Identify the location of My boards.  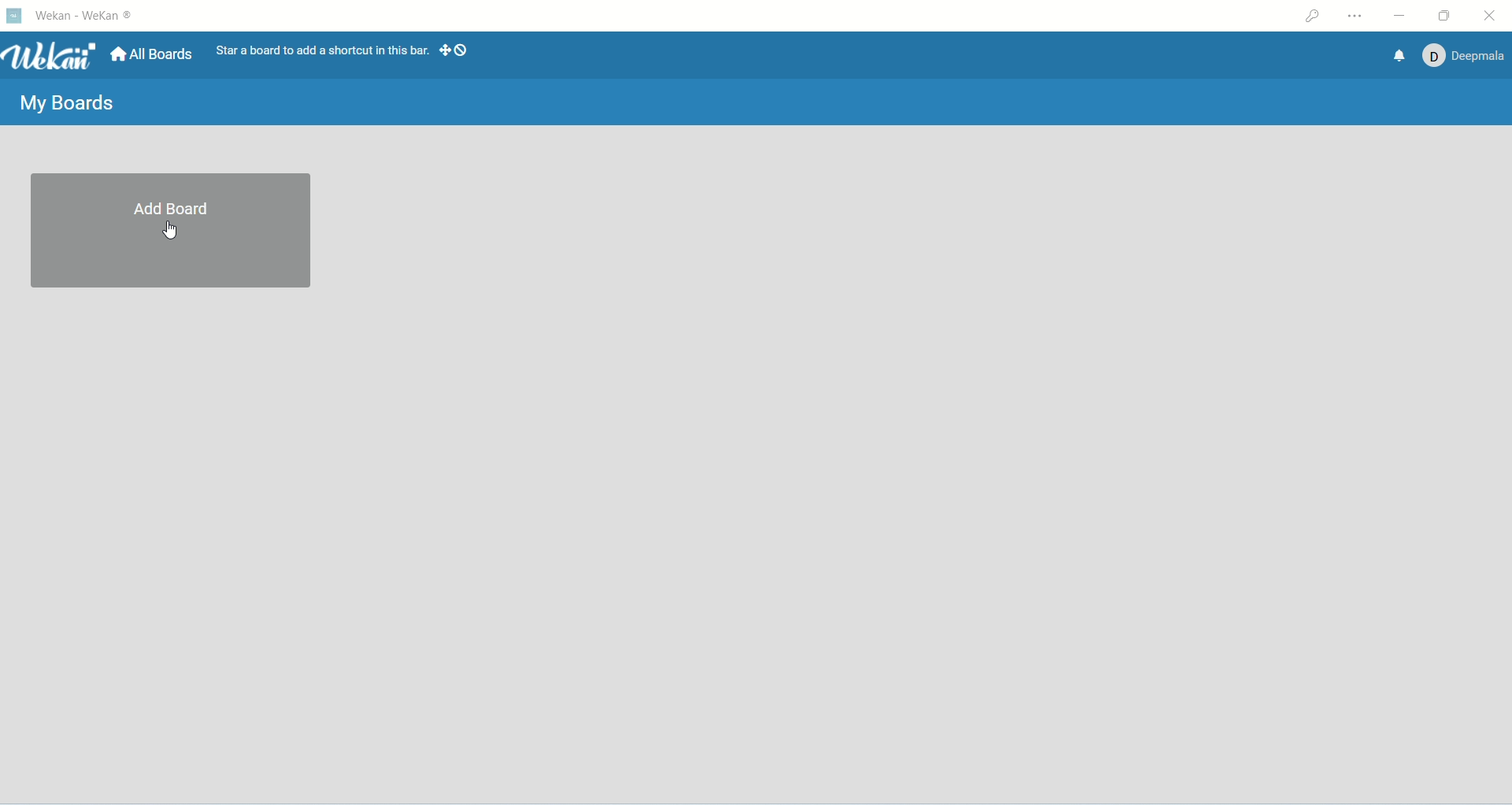
(68, 106).